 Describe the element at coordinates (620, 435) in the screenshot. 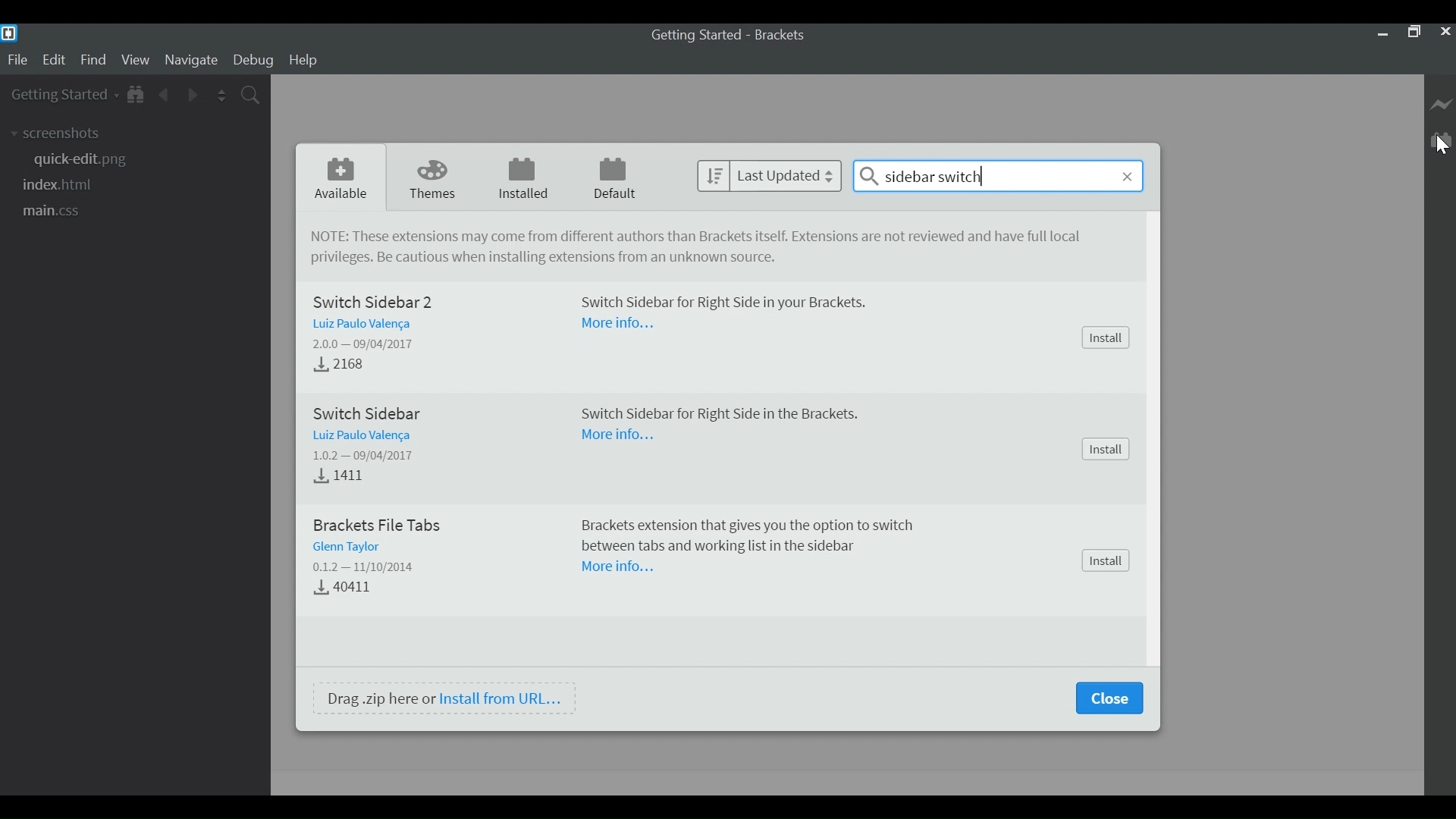

I see `More Information` at that location.